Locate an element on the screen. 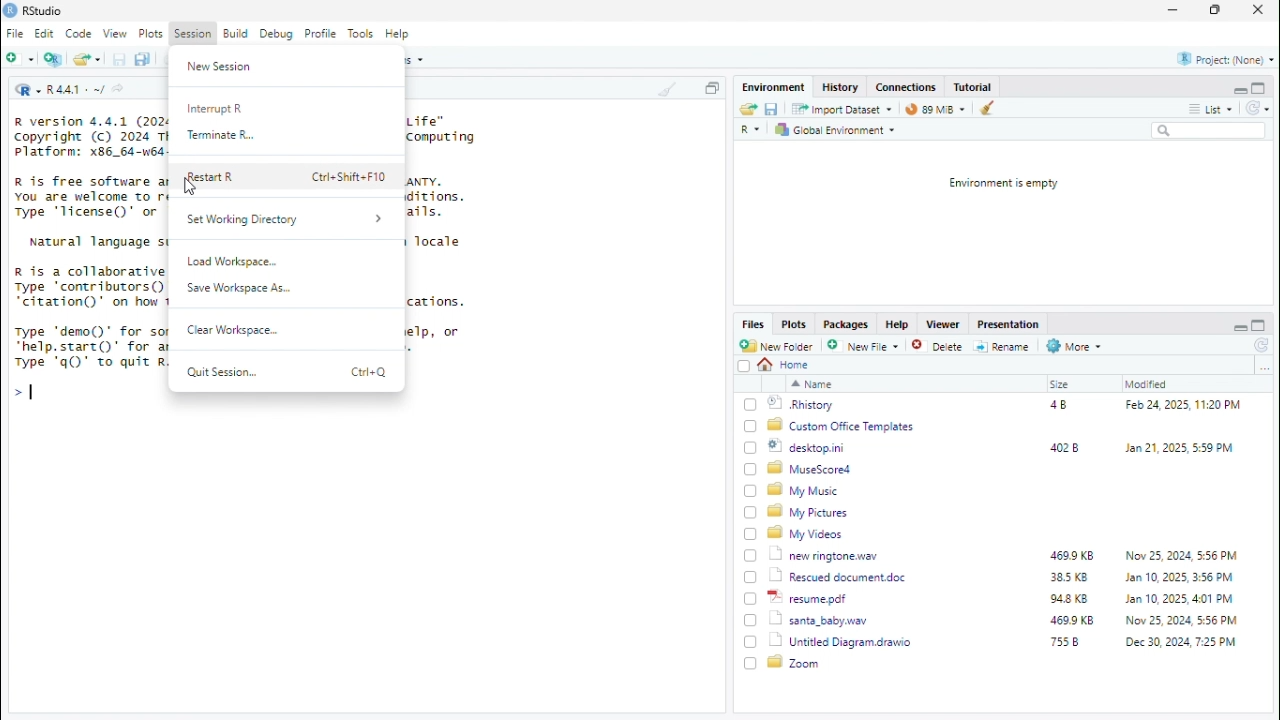  typing indicator is located at coordinates (32, 392).